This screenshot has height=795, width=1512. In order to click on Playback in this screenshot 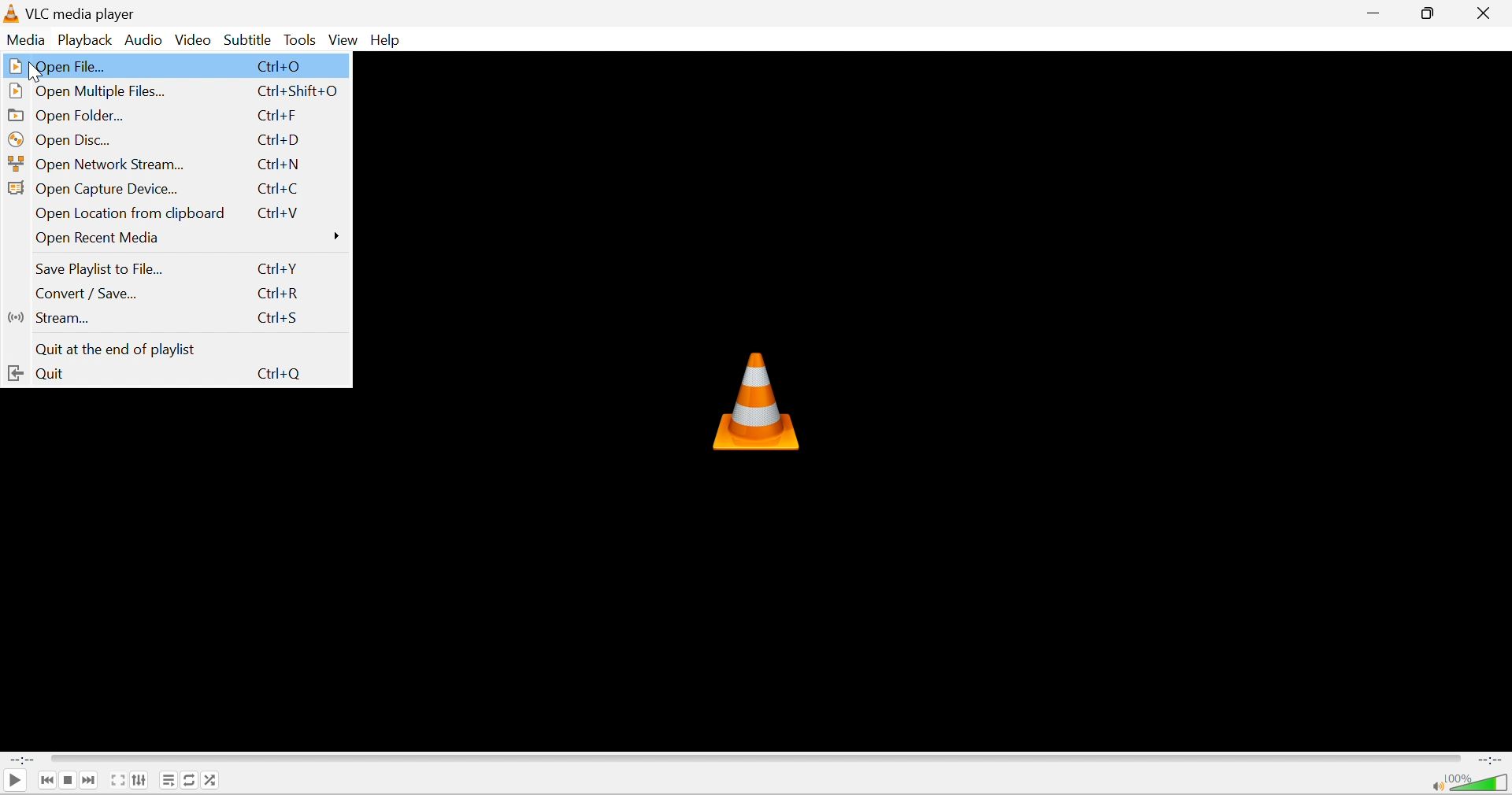, I will do `click(88, 42)`.